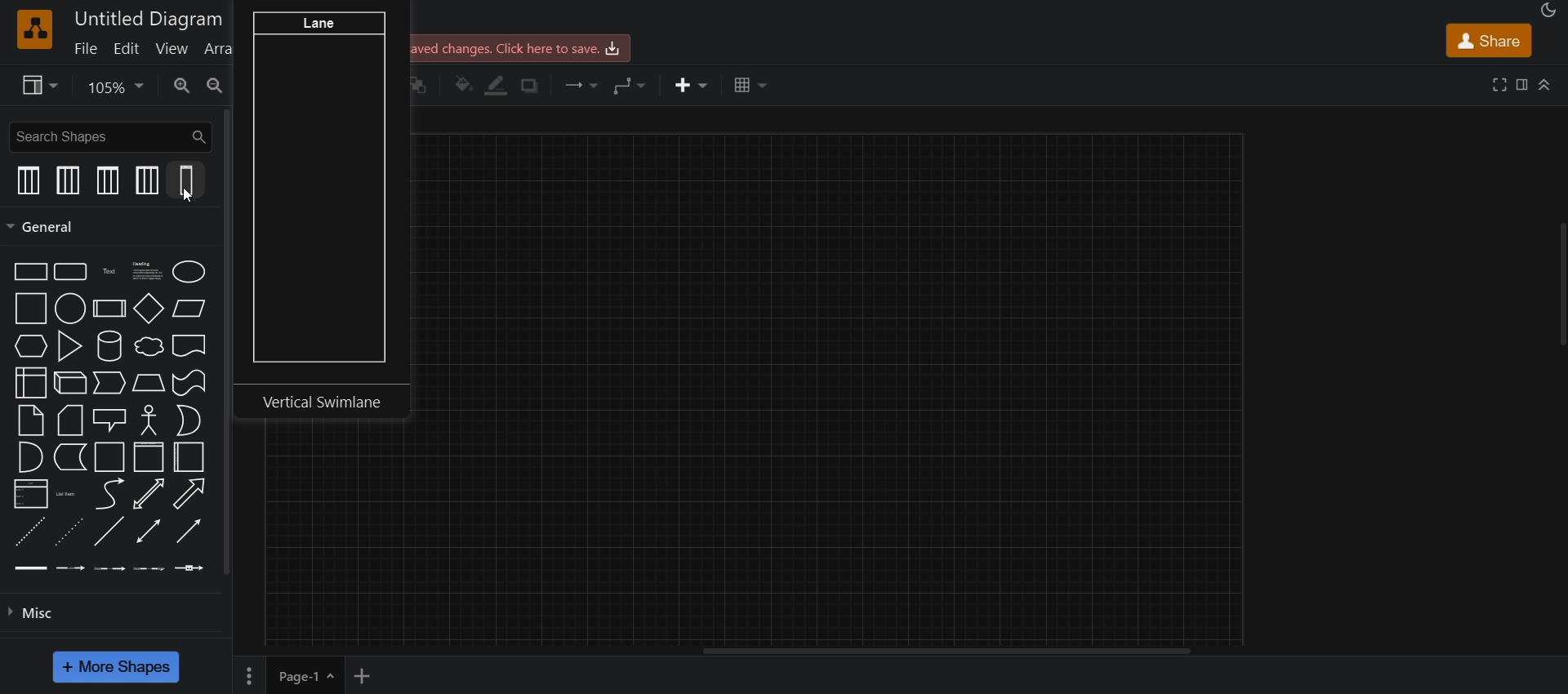 Image resolution: width=1568 pixels, height=694 pixels. What do you see at coordinates (191, 570) in the screenshot?
I see `connector with symbol` at bounding box center [191, 570].